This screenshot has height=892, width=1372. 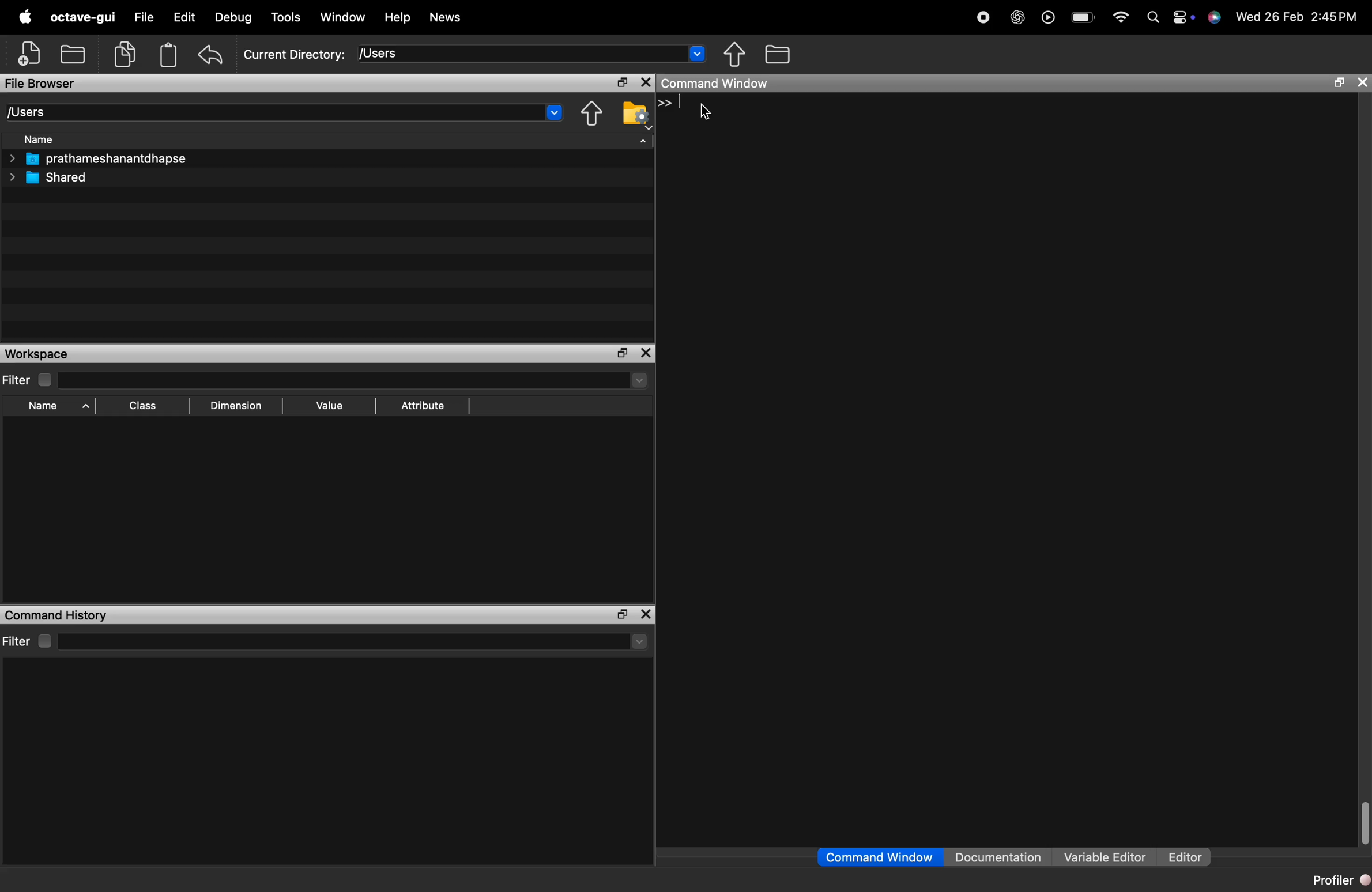 I want to click on >> |, so click(x=671, y=104).